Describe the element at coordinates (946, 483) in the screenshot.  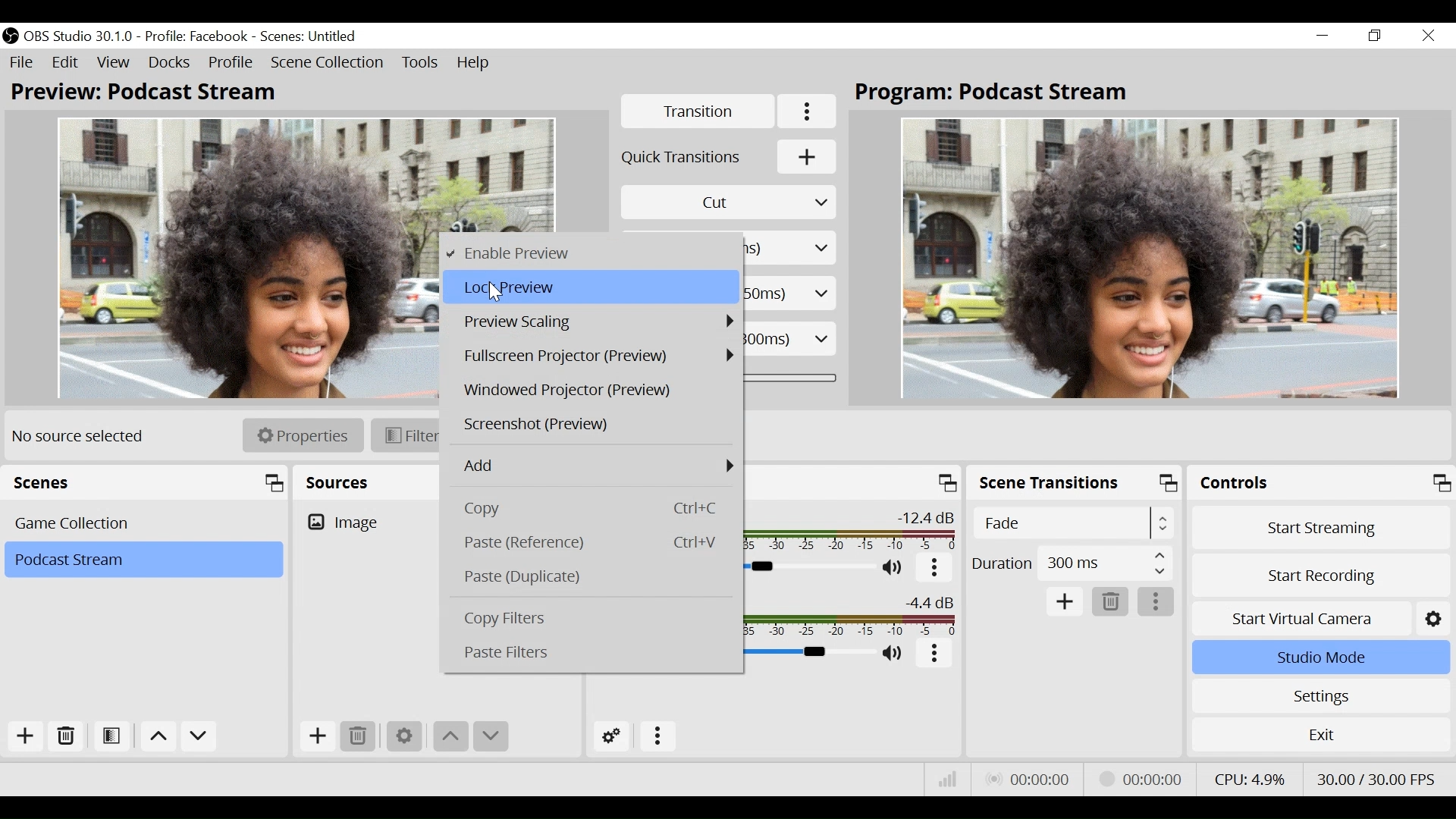
I see `Maximize` at that location.